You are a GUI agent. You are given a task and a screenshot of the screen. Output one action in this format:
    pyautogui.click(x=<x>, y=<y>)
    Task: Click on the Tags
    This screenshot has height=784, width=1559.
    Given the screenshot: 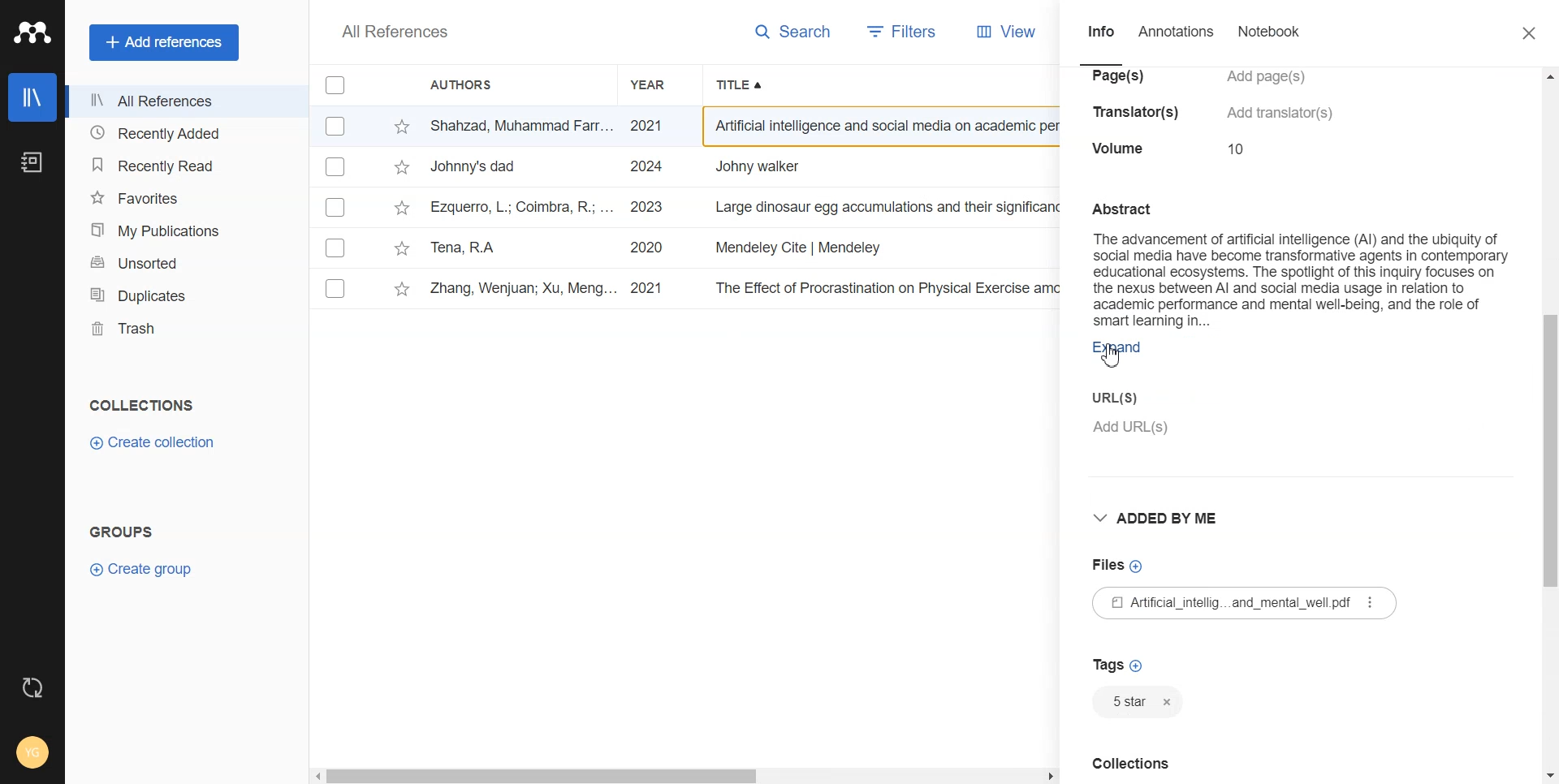 What is the action you would take?
    pyautogui.click(x=1124, y=700)
    